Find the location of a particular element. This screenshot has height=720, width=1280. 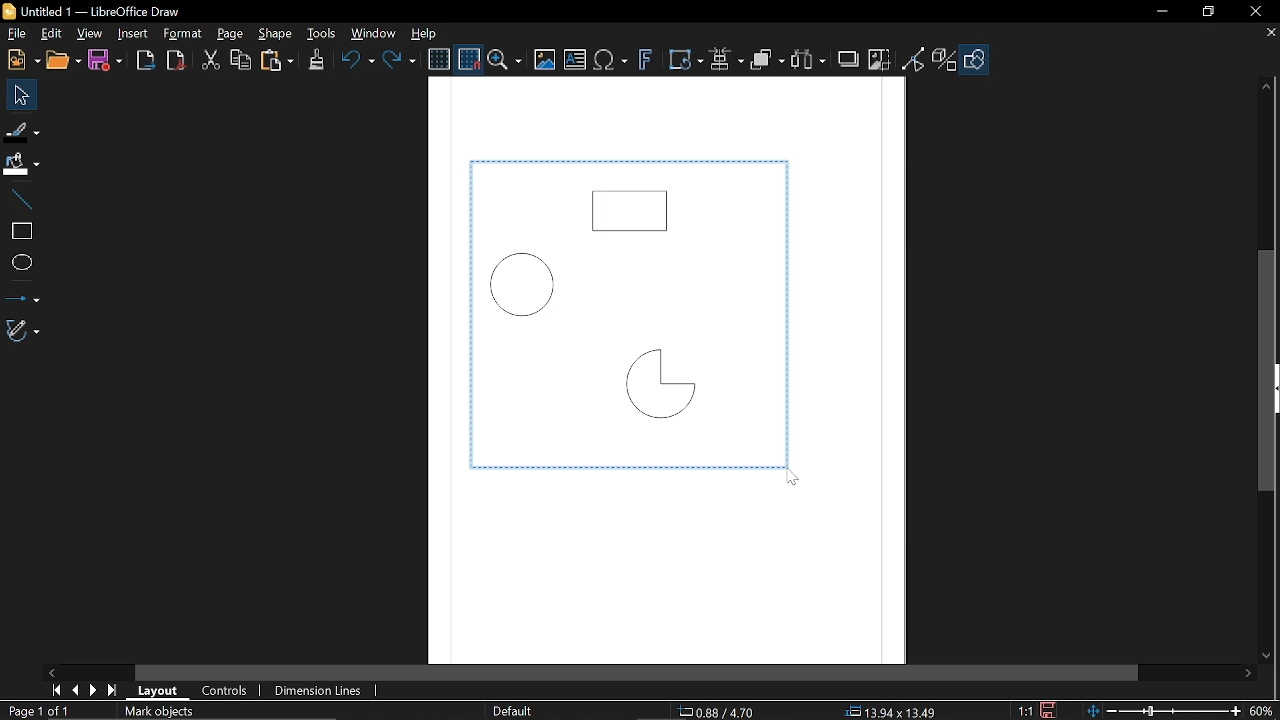

Insert is located at coordinates (131, 35).